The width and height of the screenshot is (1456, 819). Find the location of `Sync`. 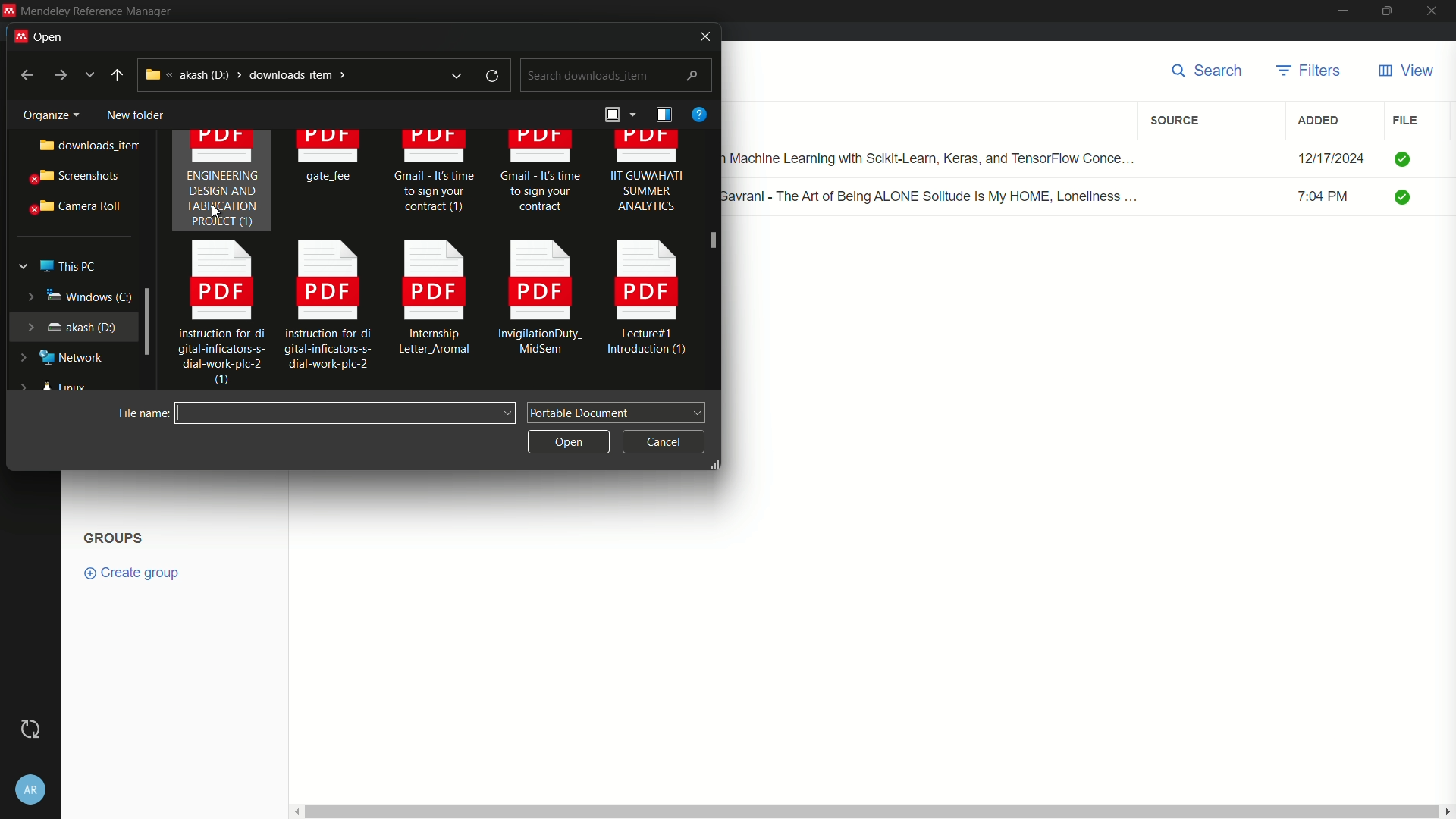

Sync is located at coordinates (30, 729).